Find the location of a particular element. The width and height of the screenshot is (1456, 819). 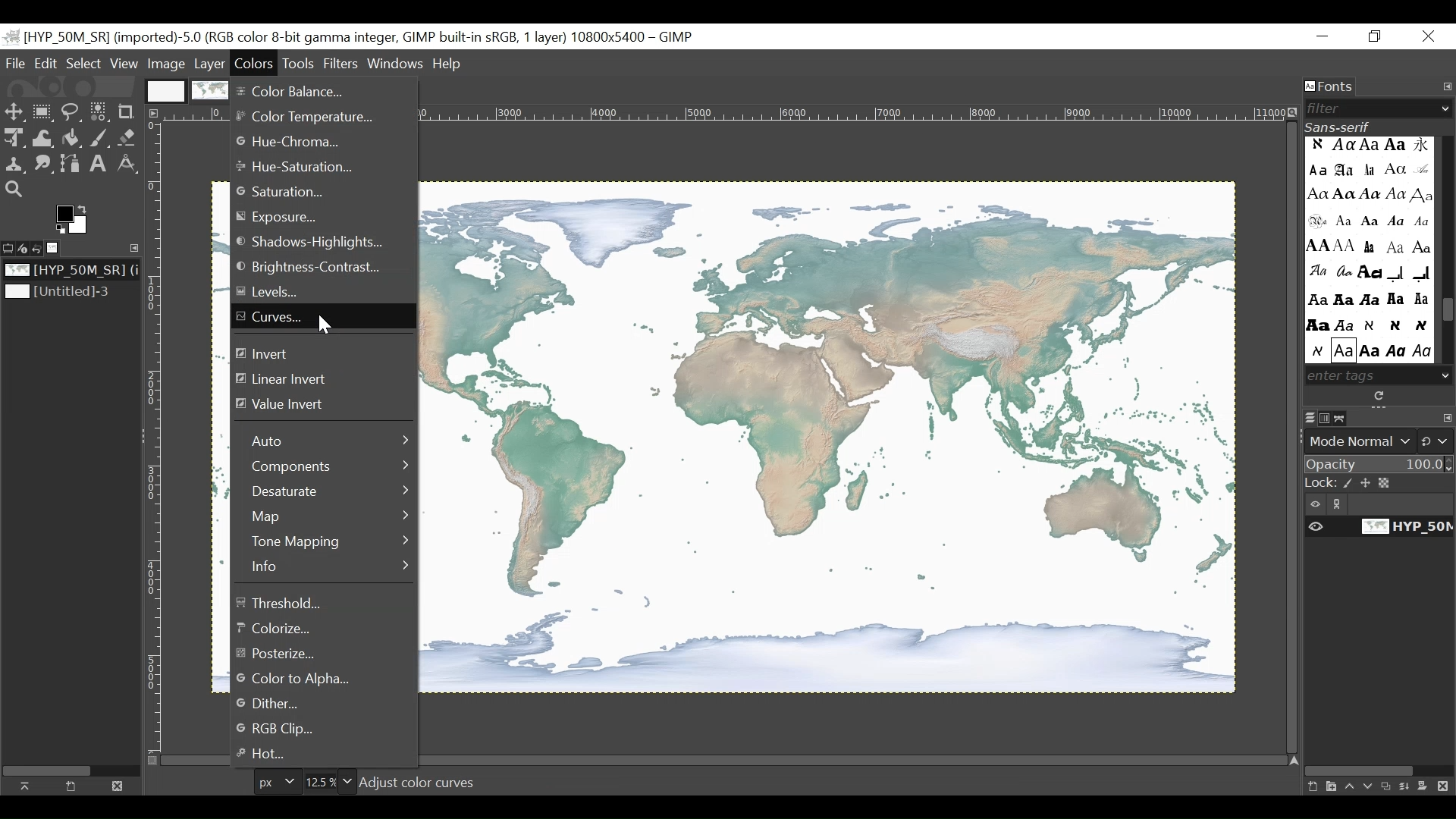

Scroll bar is located at coordinates (1447, 312).